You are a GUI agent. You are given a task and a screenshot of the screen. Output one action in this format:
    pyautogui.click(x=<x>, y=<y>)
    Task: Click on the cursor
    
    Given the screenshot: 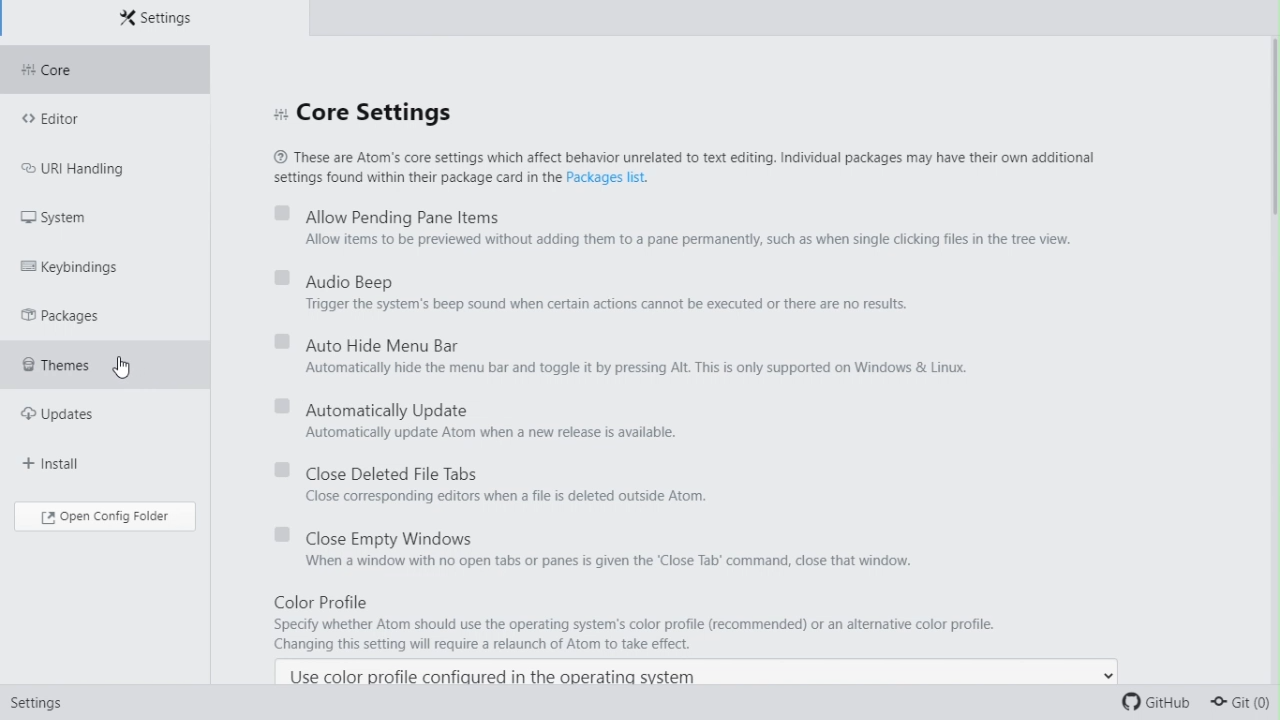 What is the action you would take?
    pyautogui.click(x=127, y=363)
    